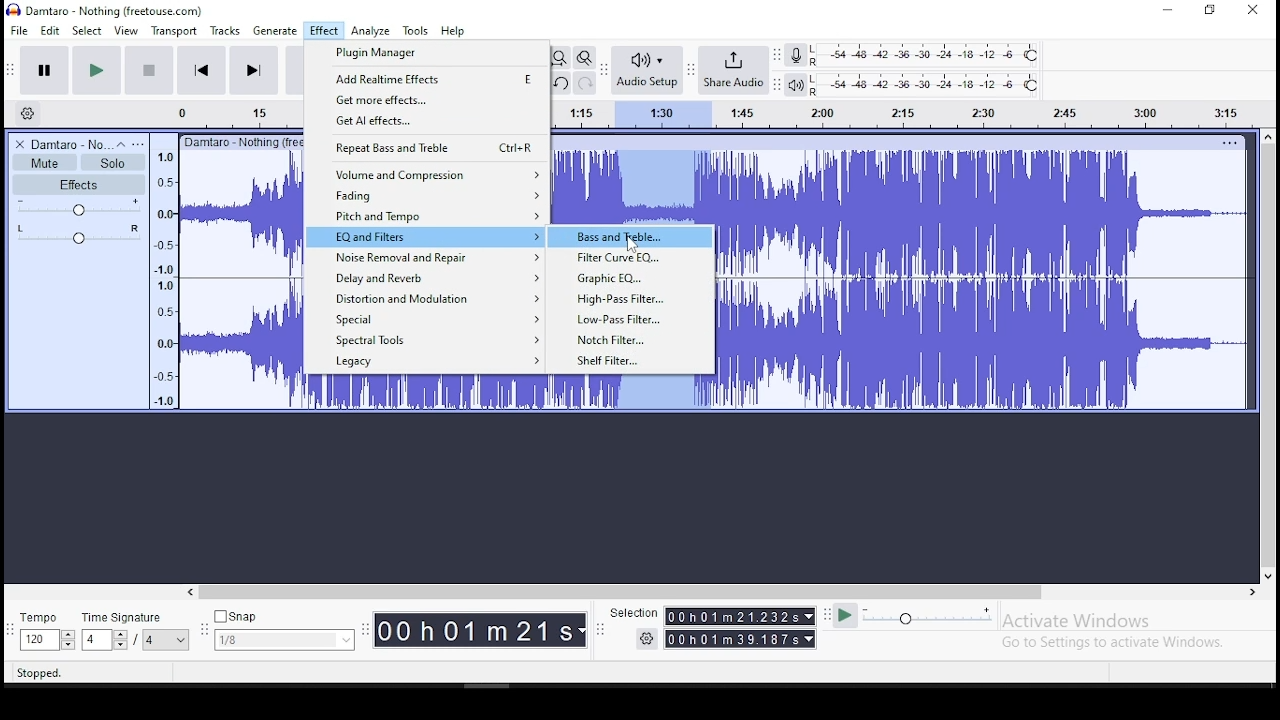 Image resolution: width=1280 pixels, height=720 pixels. I want to click on , so click(366, 628).